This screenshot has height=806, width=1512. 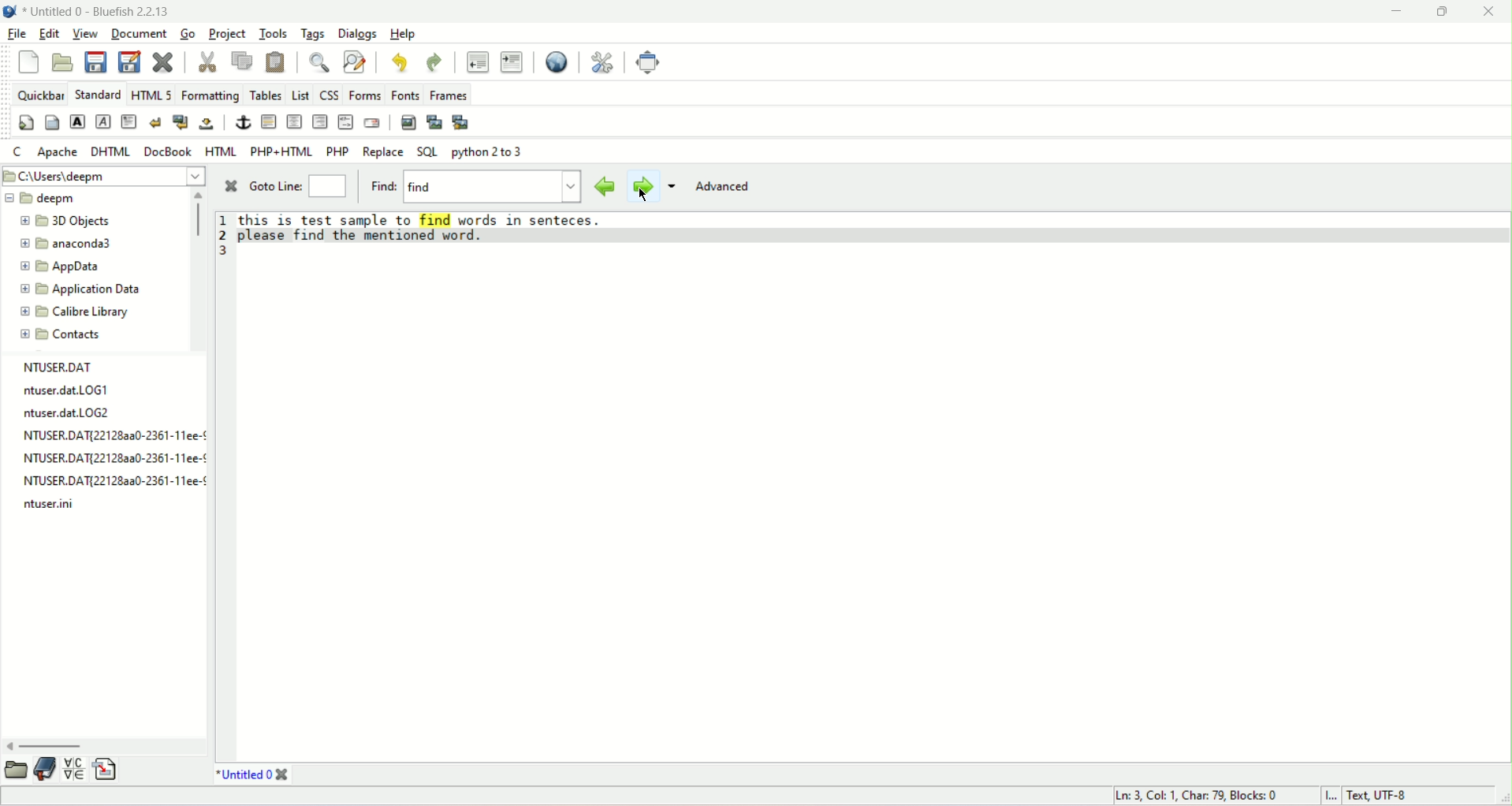 What do you see at coordinates (40, 94) in the screenshot?
I see `quickbar` at bounding box center [40, 94].